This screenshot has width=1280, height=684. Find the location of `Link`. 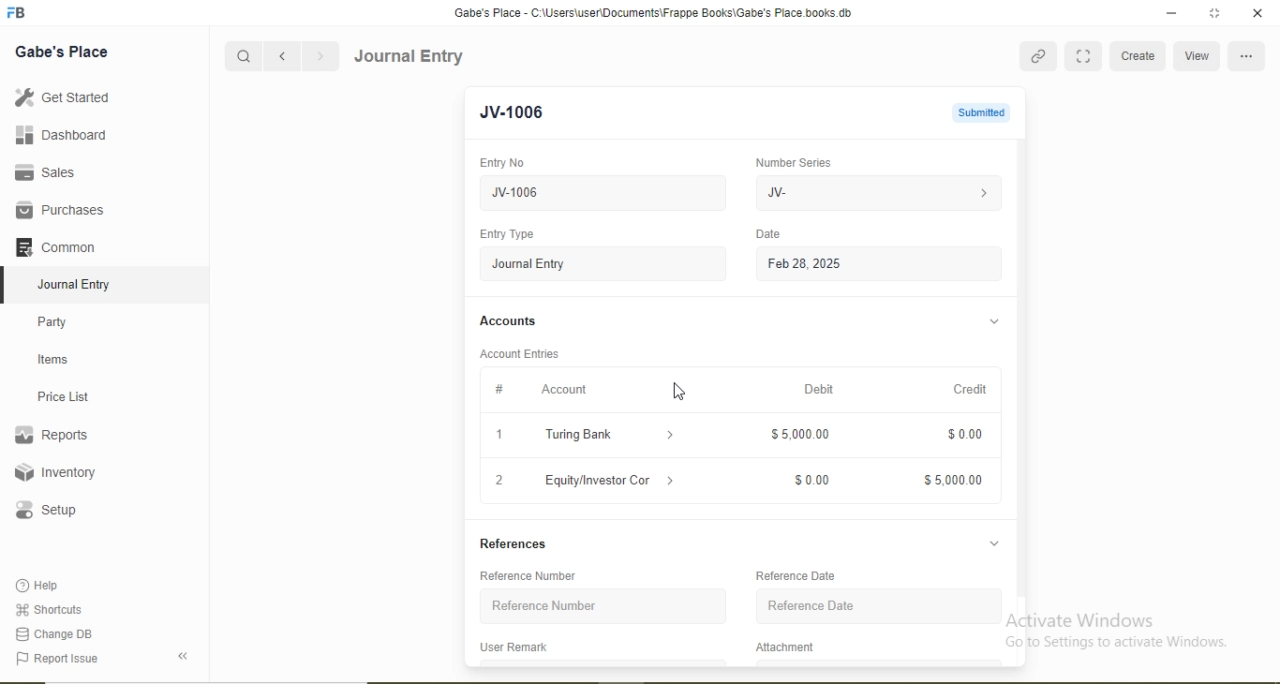

Link is located at coordinates (1038, 54).